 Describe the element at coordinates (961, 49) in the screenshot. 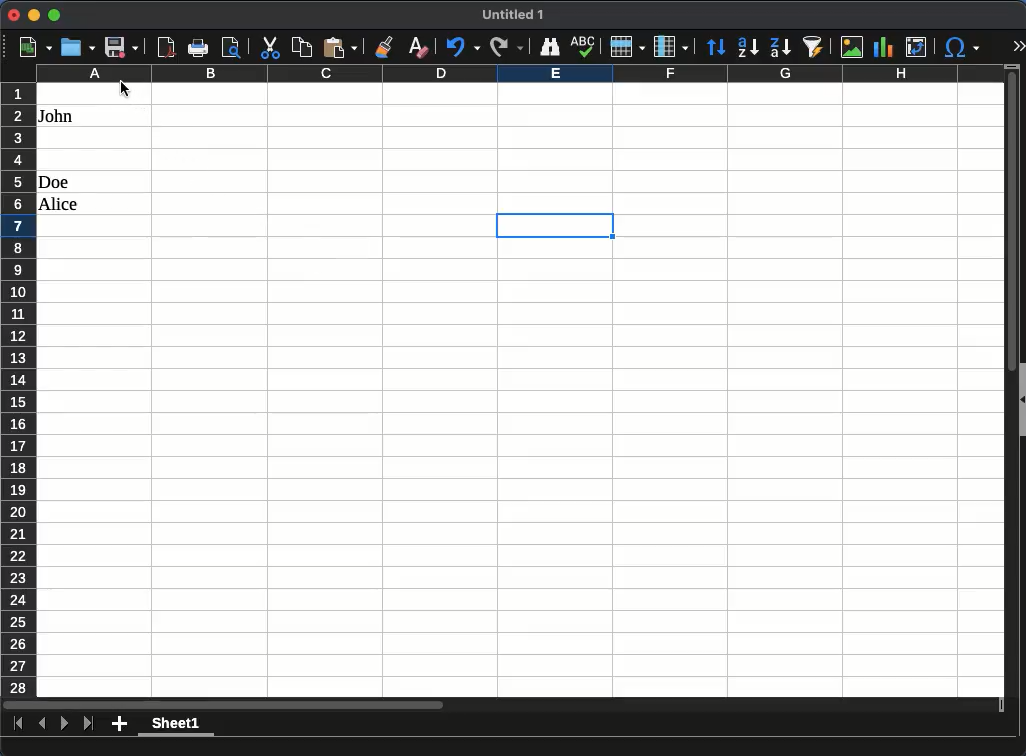

I see `special character` at that location.